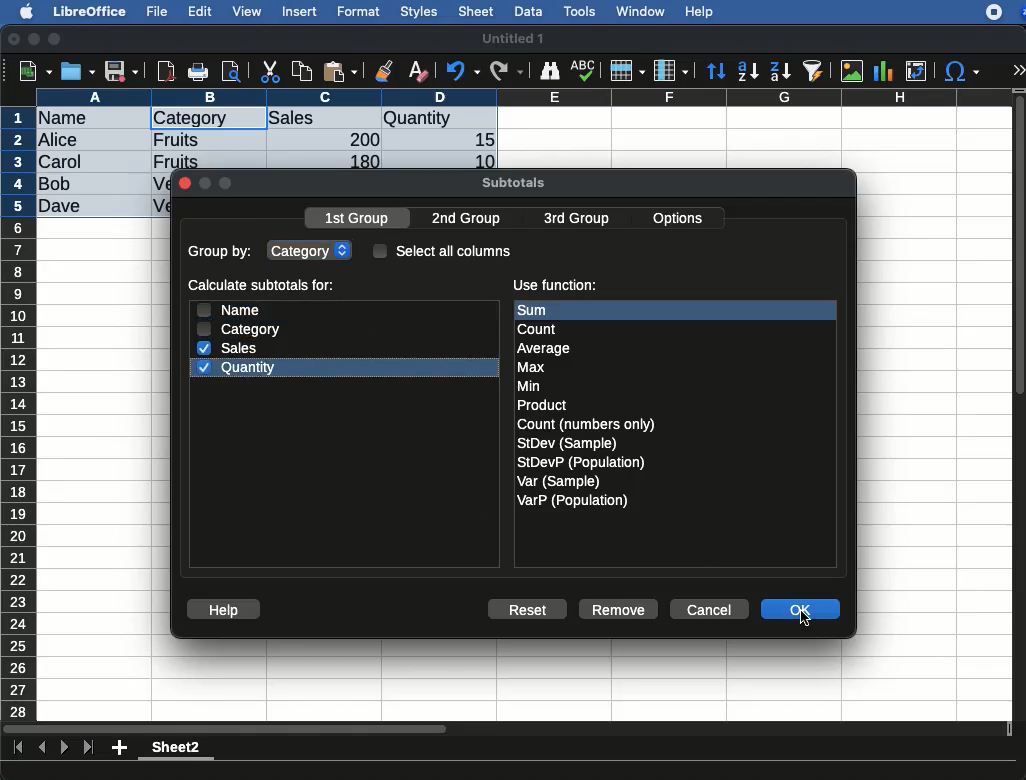  I want to click on Count, so click(540, 329).